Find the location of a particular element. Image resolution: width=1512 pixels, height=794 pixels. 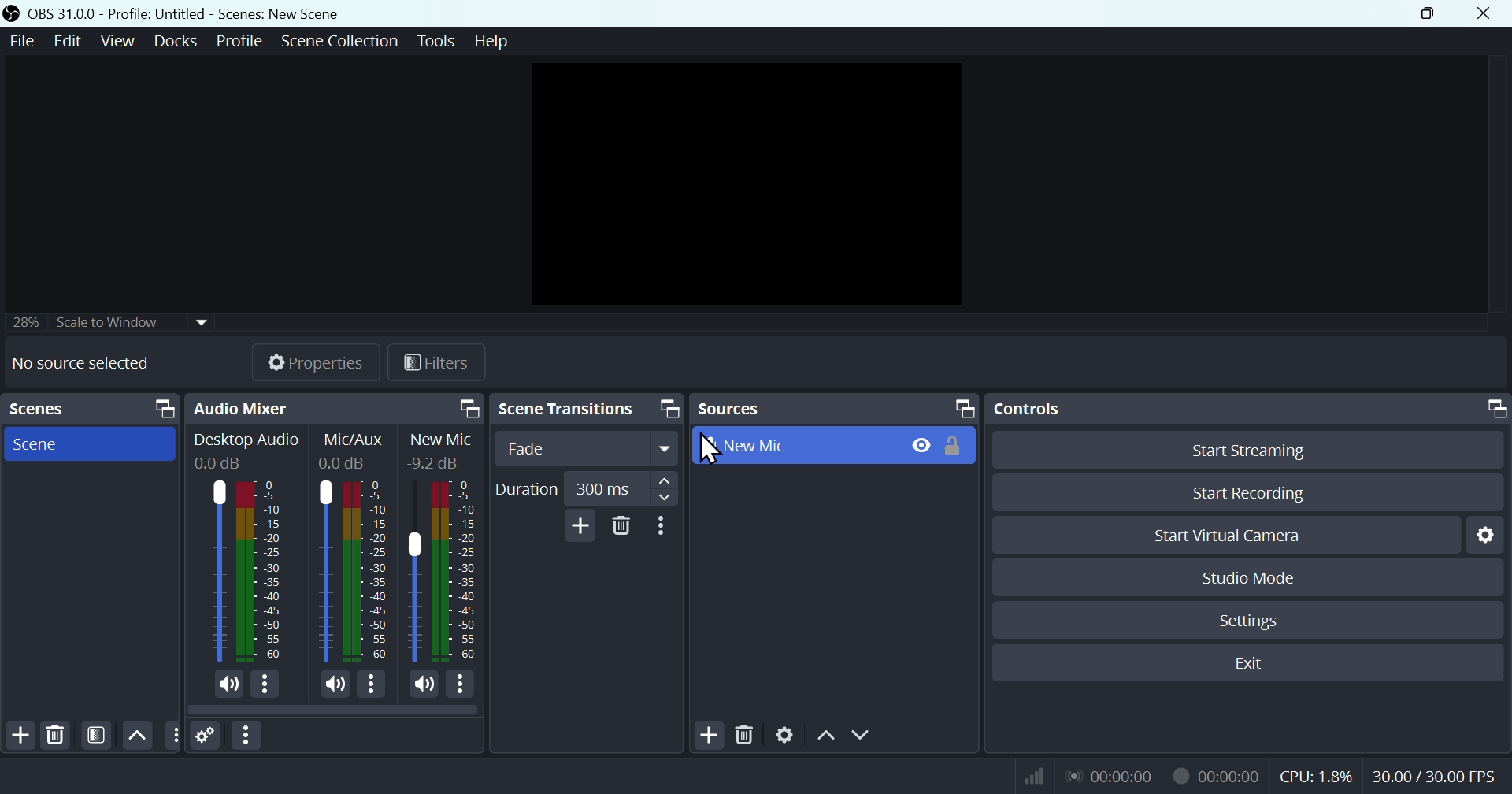

Fade is located at coordinates (588, 449).